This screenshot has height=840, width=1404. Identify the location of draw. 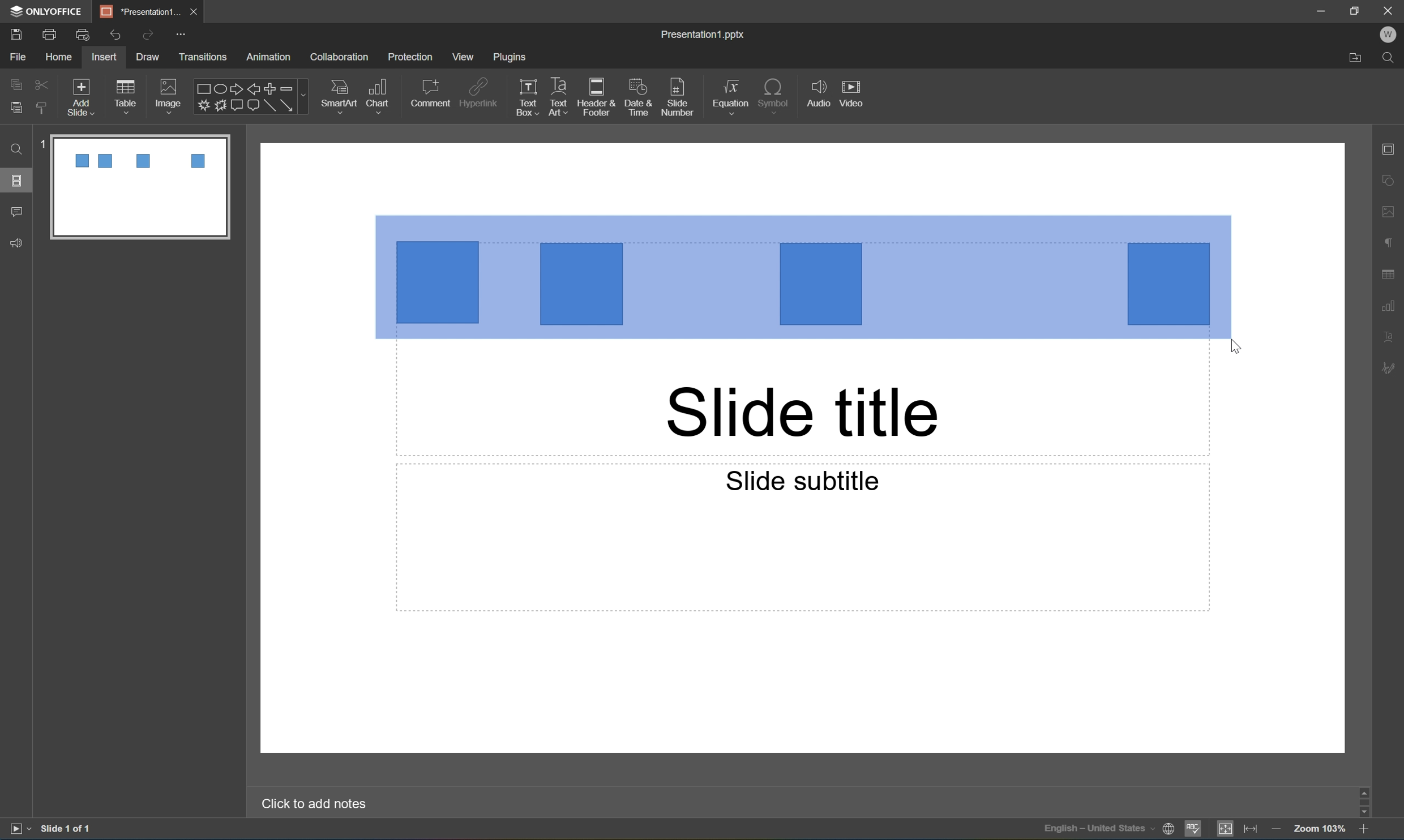
(145, 57).